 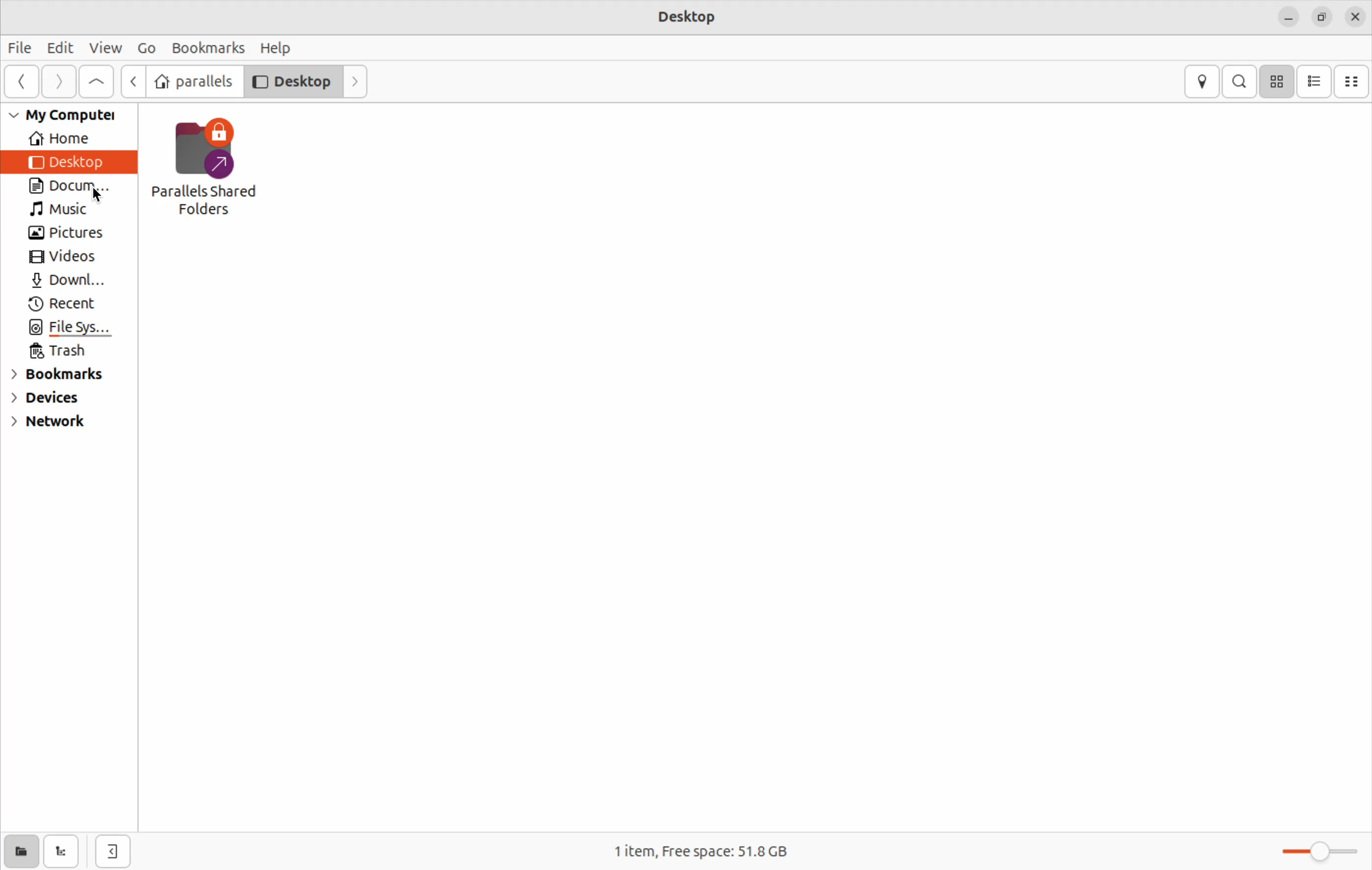 What do you see at coordinates (1203, 81) in the screenshot?
I see `location` at bounding box center [1203, 81].